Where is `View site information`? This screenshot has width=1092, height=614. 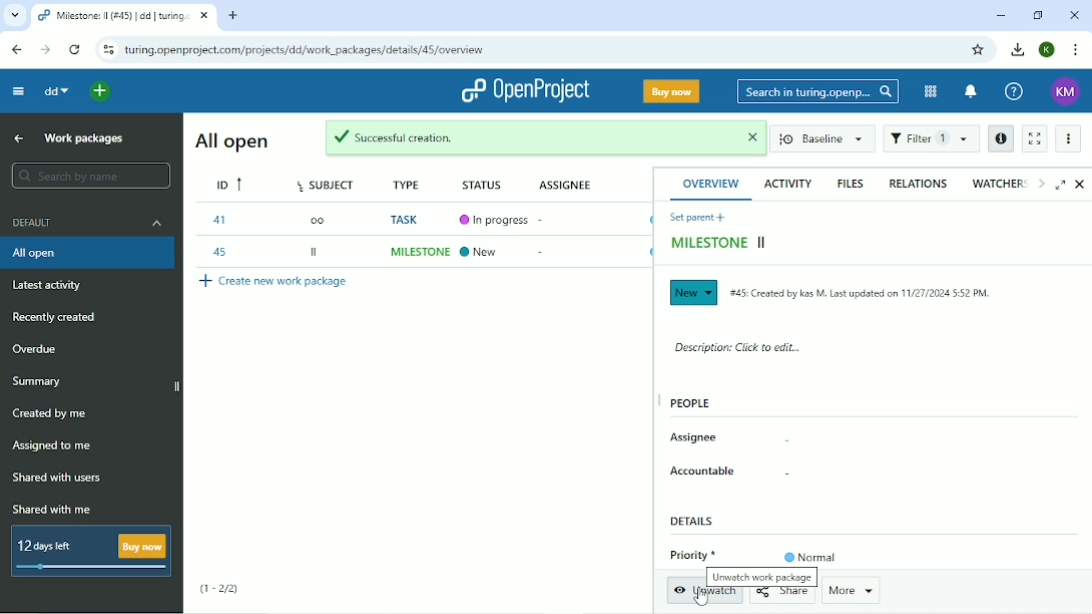
View site information is located at coordinates (107, 49).